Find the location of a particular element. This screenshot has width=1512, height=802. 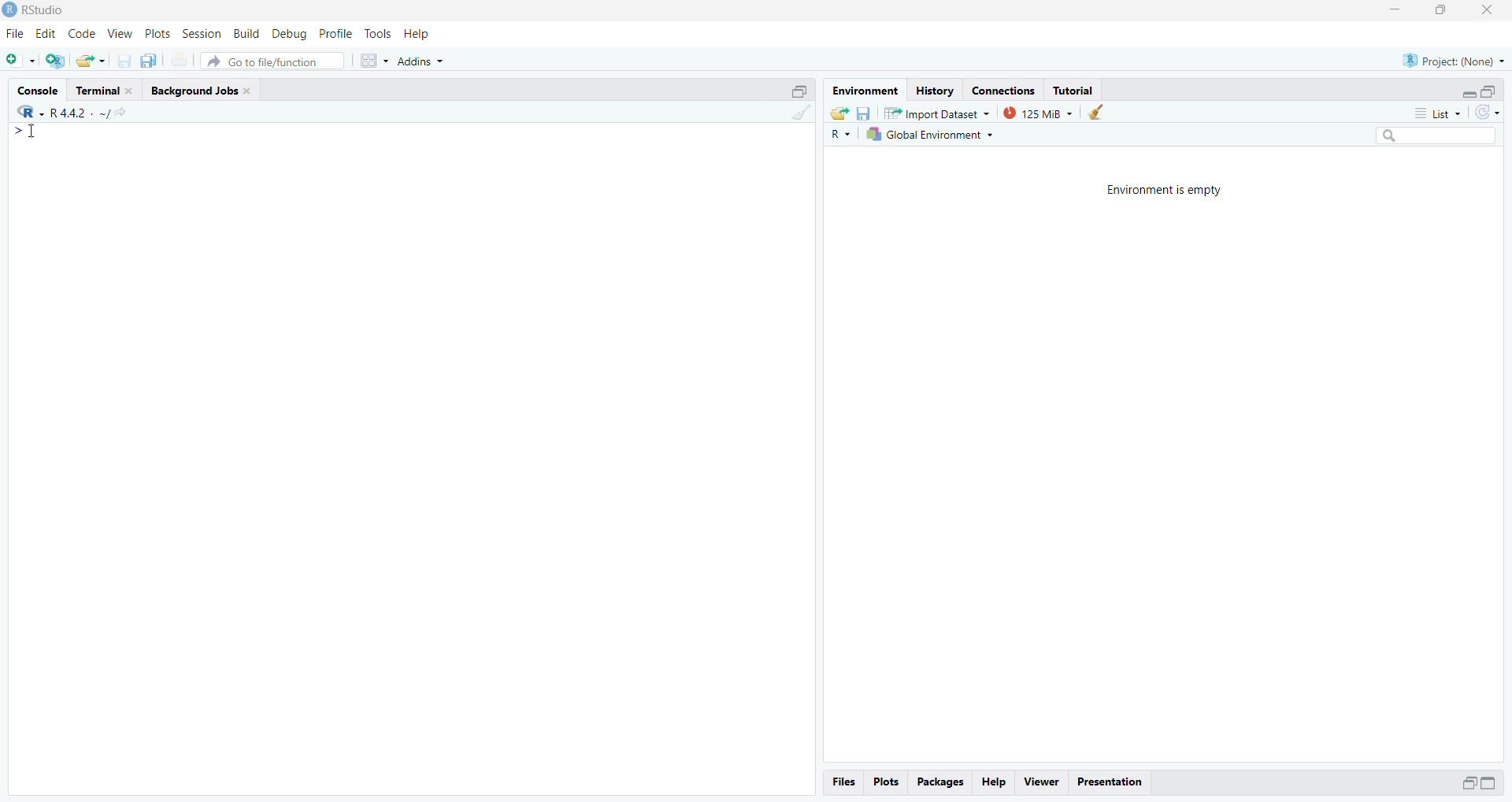

Session is located at coordinates (202, 33).